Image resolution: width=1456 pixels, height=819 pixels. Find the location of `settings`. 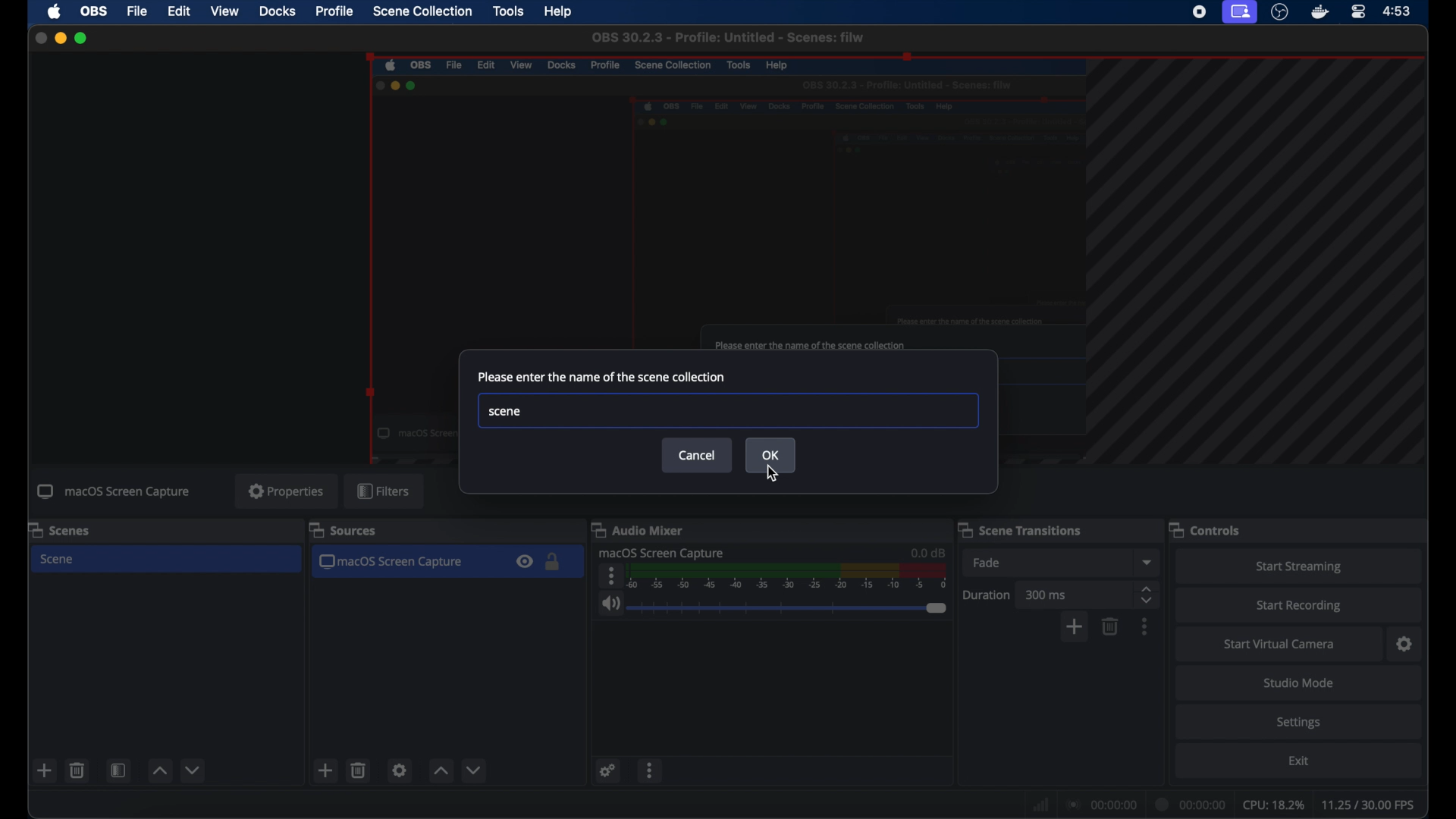

settings is located at coordinates (1303, 723).